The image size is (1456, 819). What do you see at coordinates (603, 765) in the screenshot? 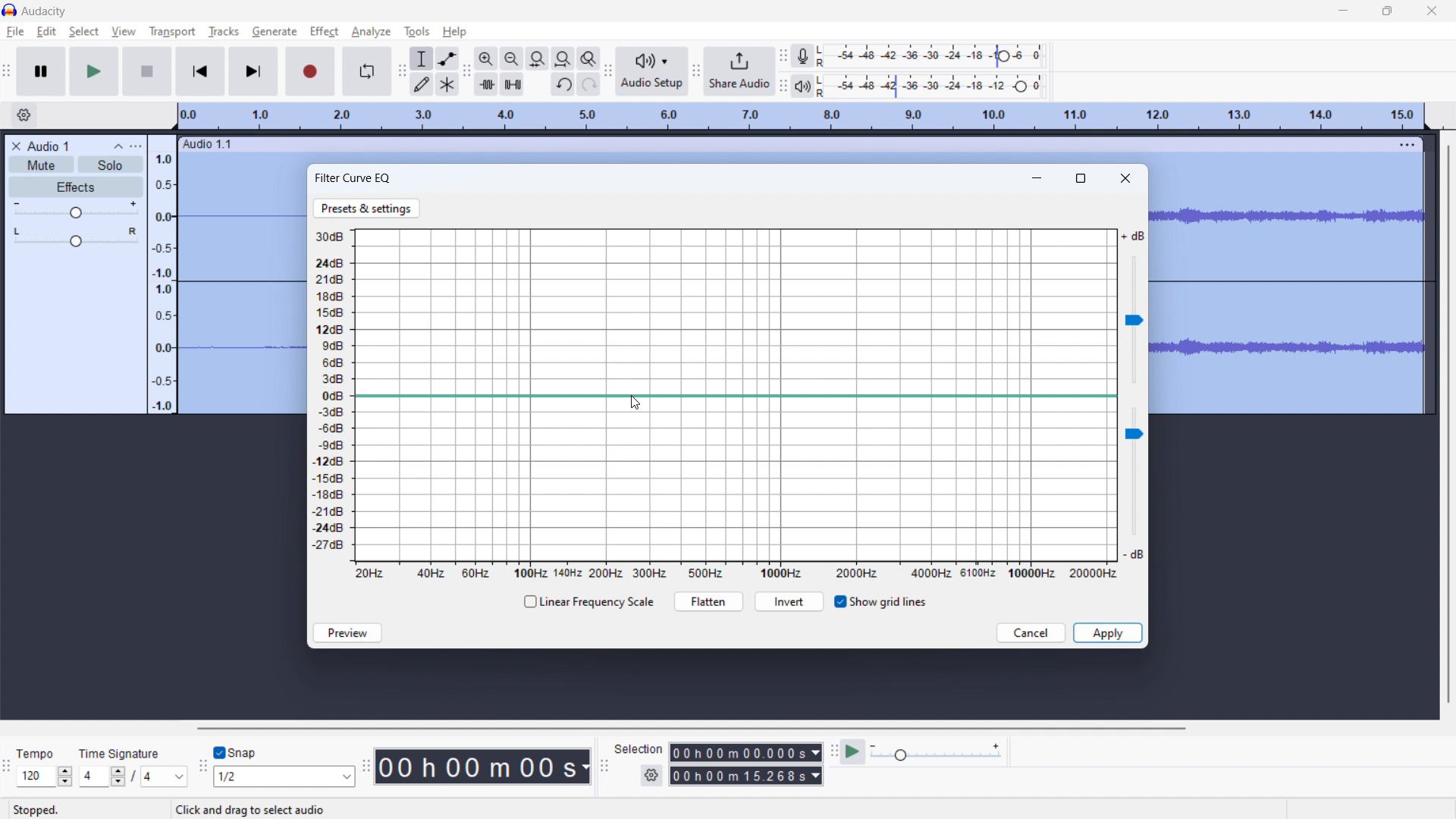
I see `selection toolbar` at bounding box center [603, 765].